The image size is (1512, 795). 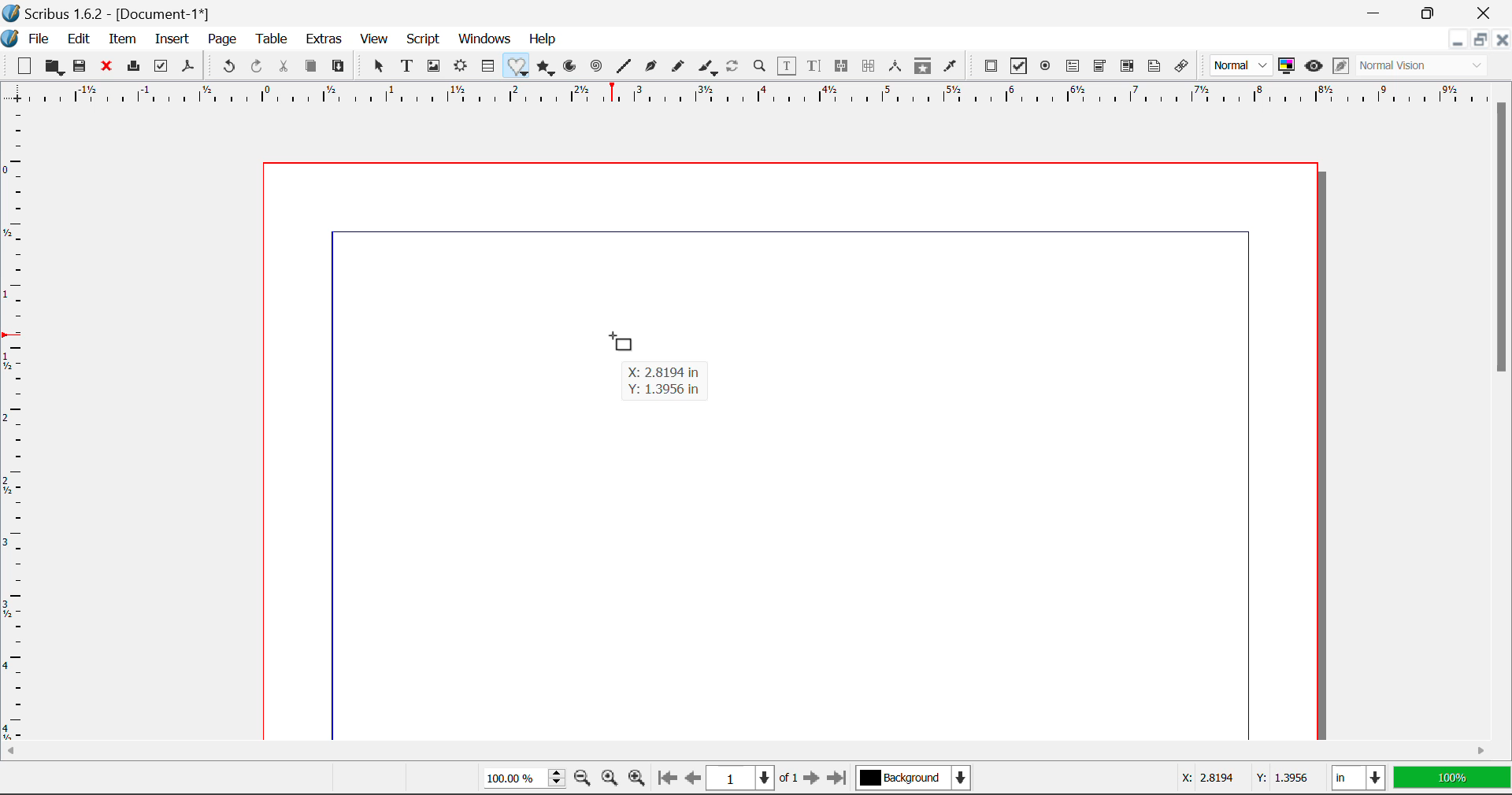 I want to click on Scroll Bar, so click(x=1503, y=407).